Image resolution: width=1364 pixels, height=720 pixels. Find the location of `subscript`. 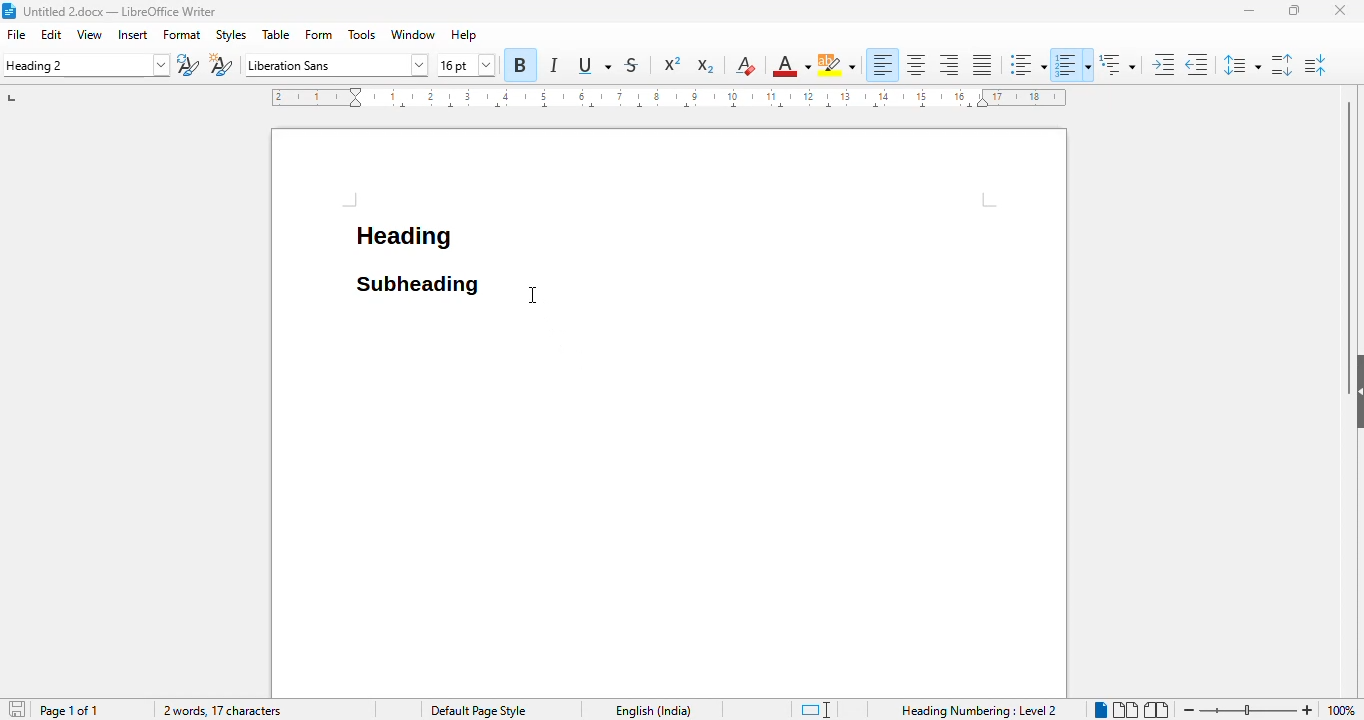

subscript is located at coordinates (707, 67).